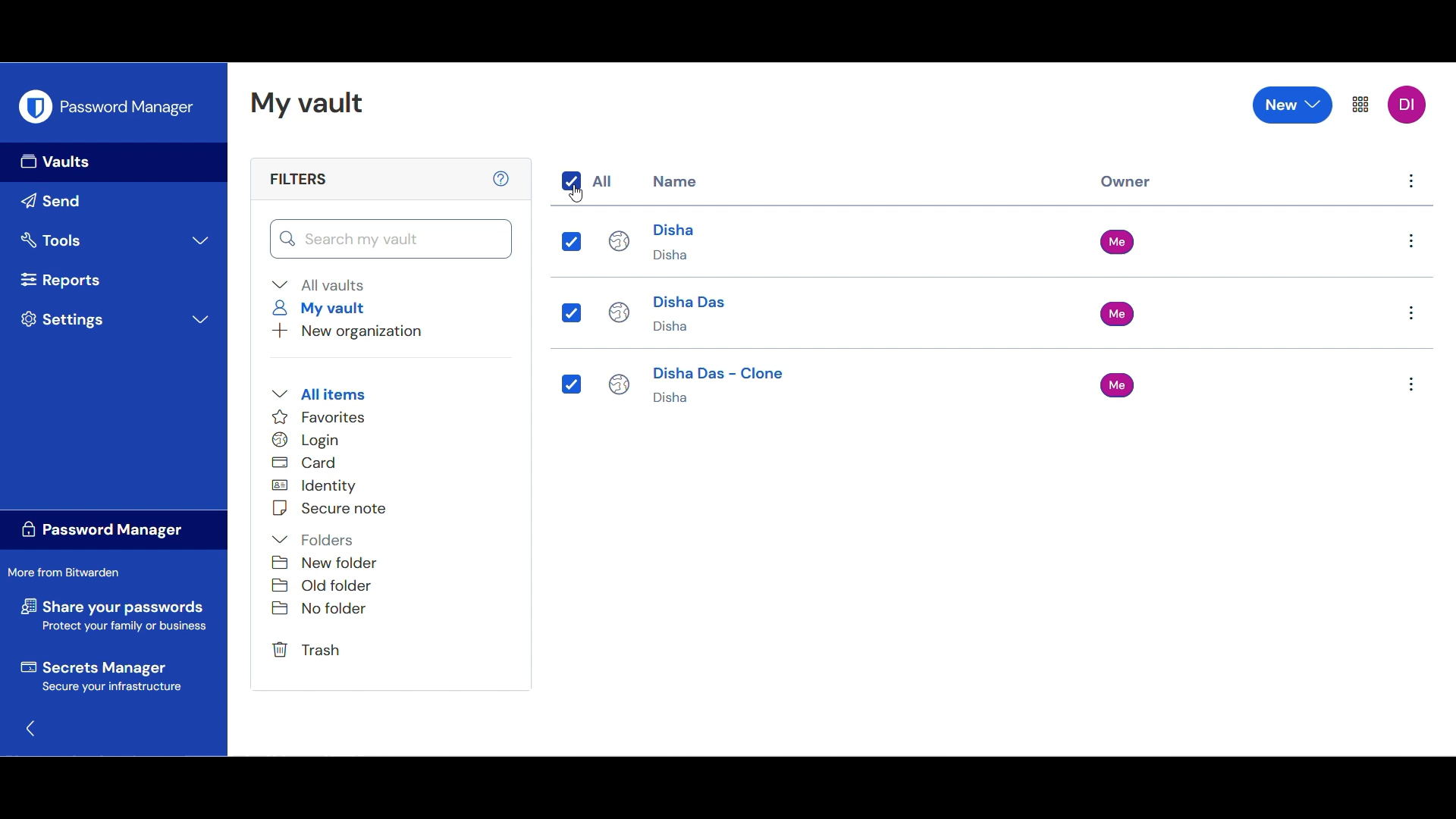 This screenshot has height=819, width=1456. Describe the element at coordinates (324, 486) in the screenshot. I see `Identity` at that location.